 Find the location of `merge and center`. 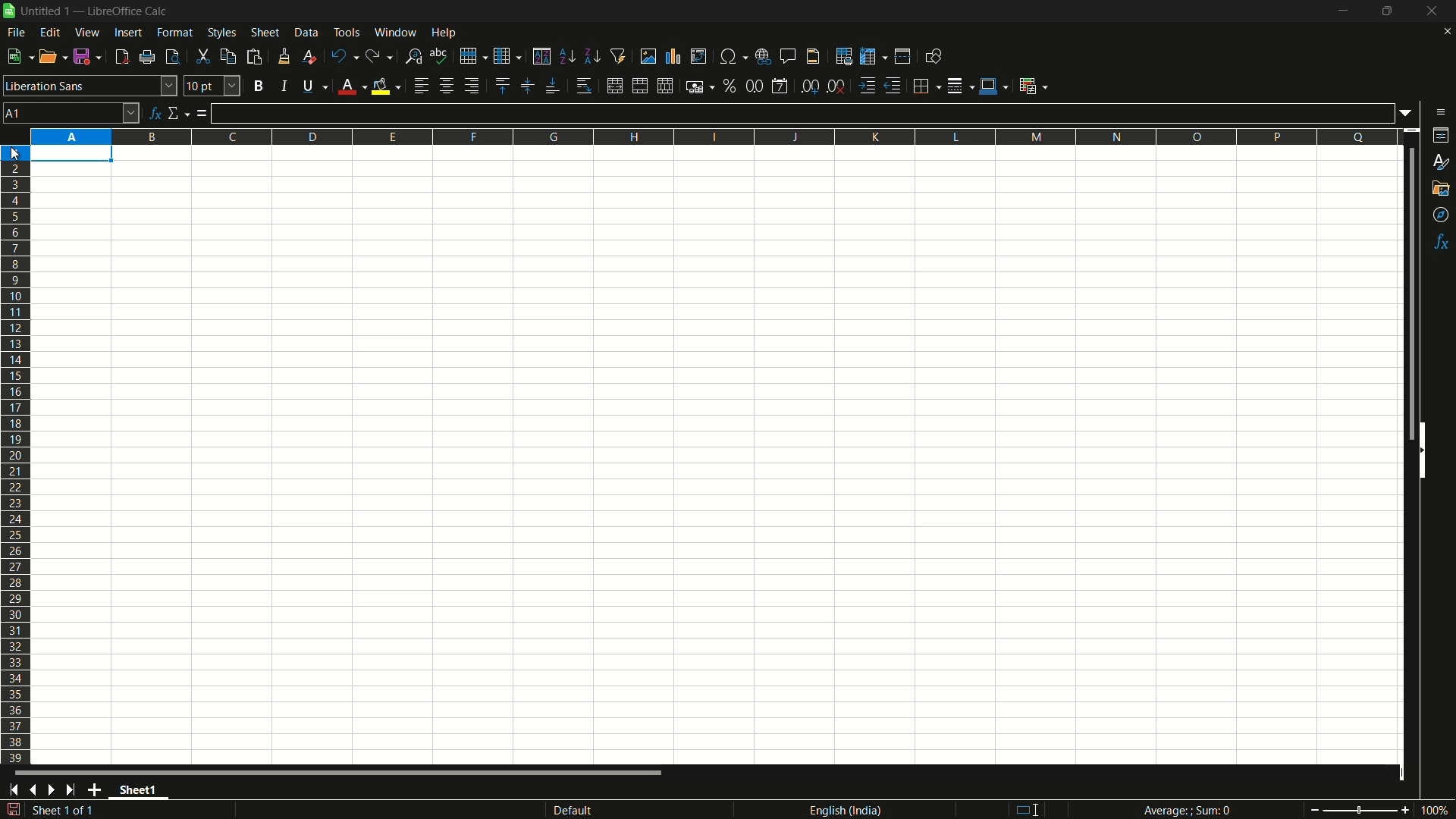

merge and center is located at coordinates (638, 86).